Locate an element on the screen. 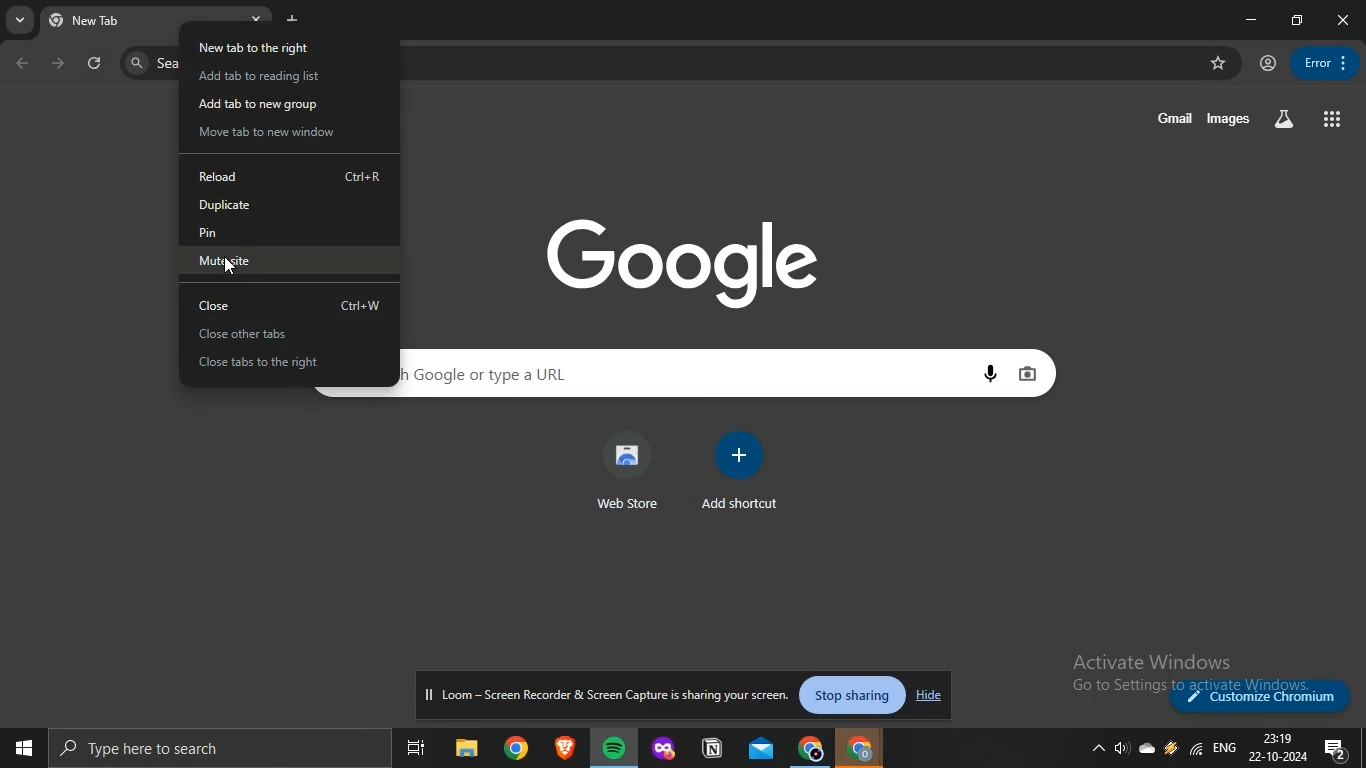 The image size is (1366, 768). cursor is located at coordinates (237, 267).